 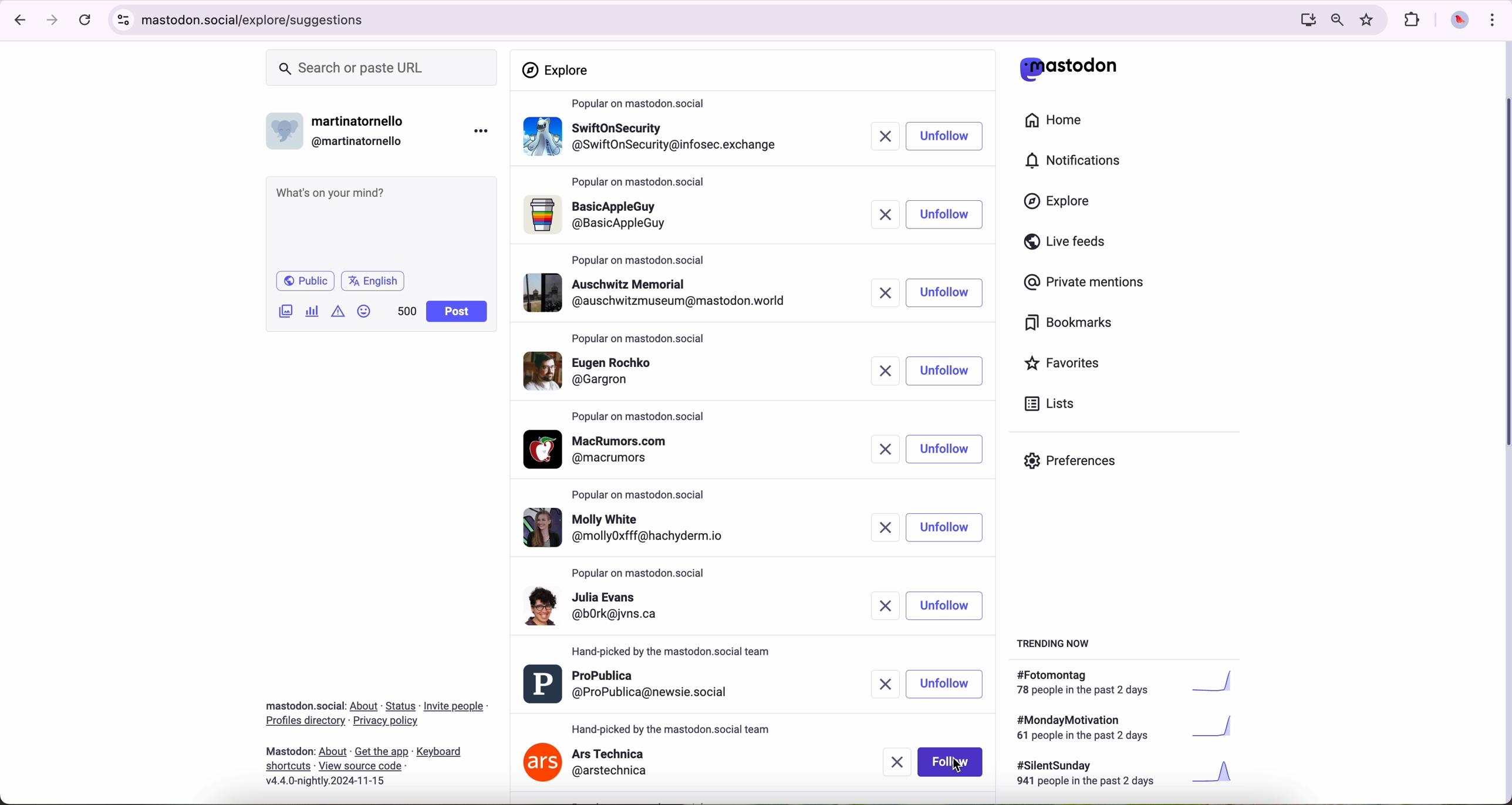 What do you see at coordinates (885, 449) in the screenshot?
I see `remove` at bounding box center [885, 449].